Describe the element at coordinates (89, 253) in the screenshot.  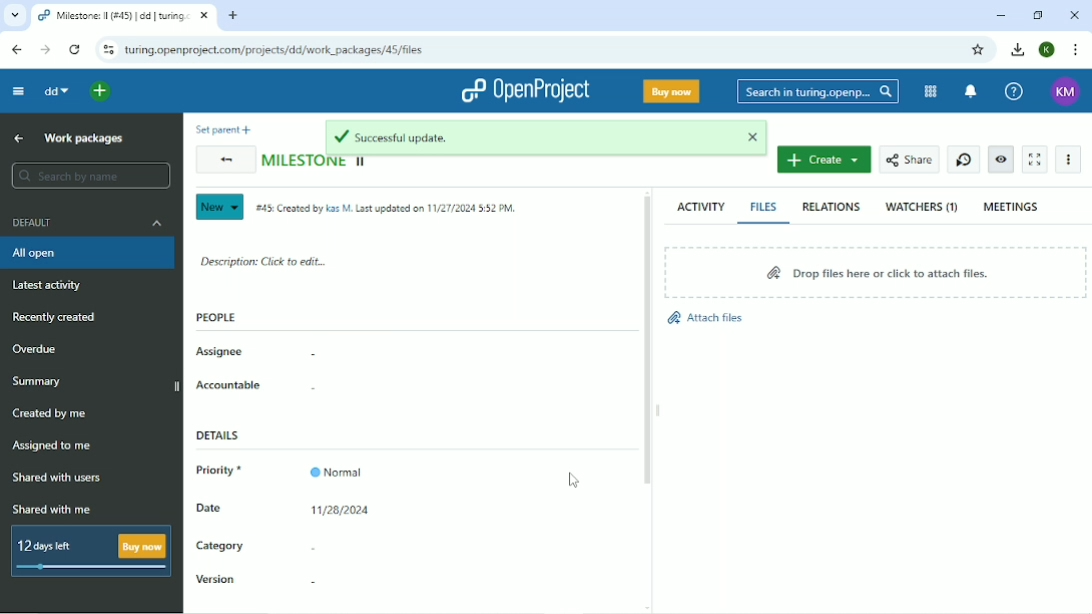
I see `All open` at that location.